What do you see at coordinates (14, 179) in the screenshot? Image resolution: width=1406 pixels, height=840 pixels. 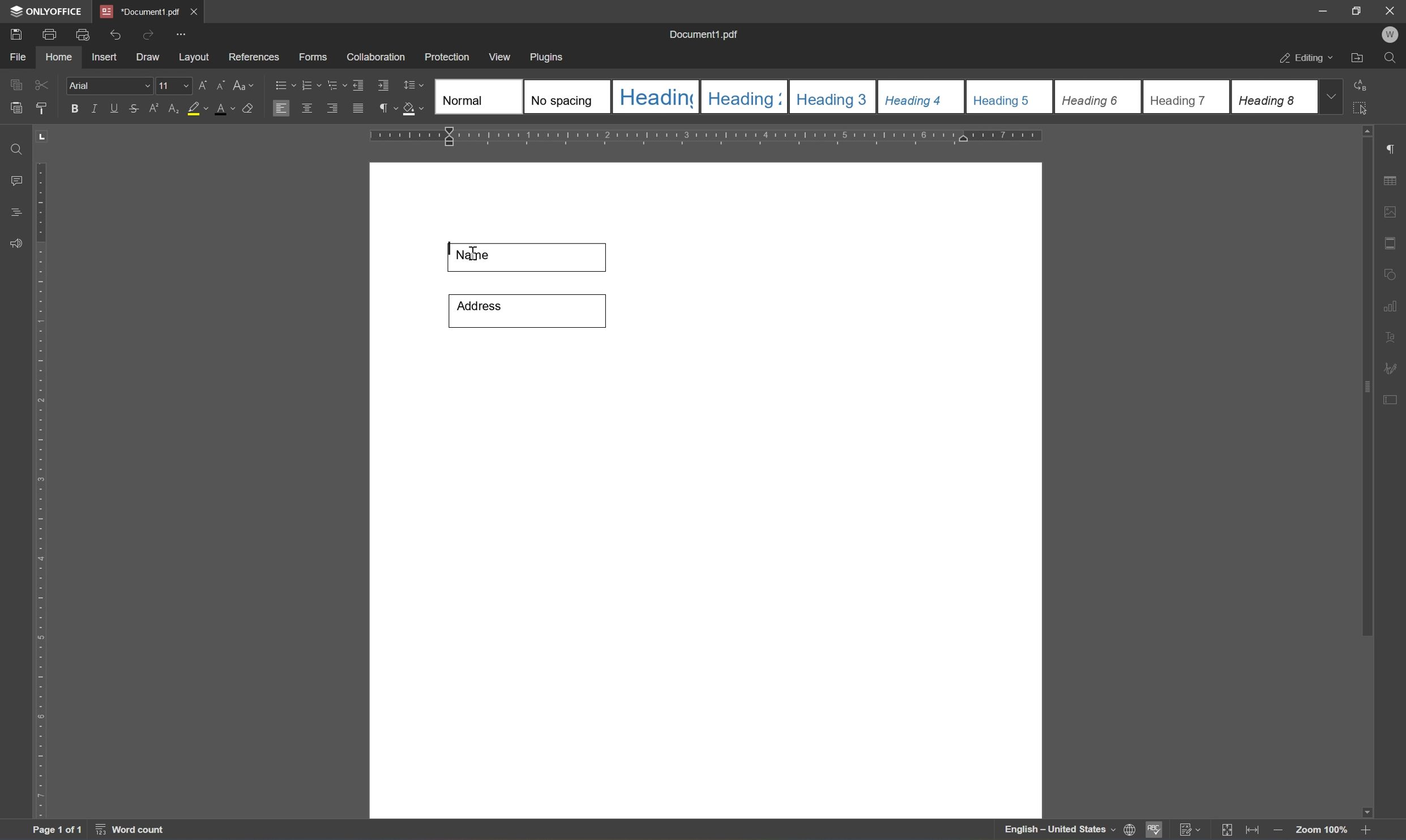 I see `comment` at bounding box center [14, 179].